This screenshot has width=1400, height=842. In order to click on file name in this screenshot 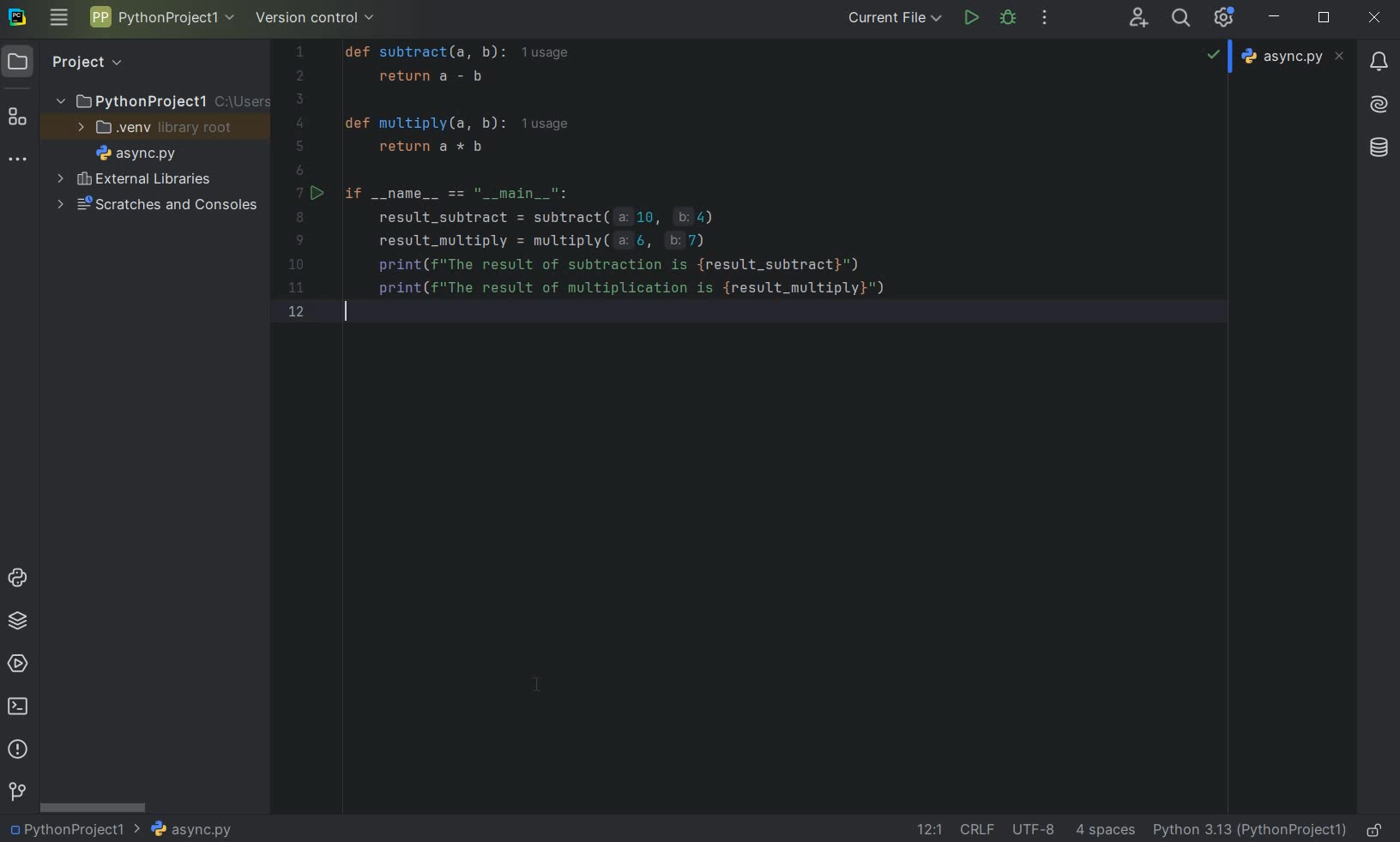, I will do `click(1294, 57)`.